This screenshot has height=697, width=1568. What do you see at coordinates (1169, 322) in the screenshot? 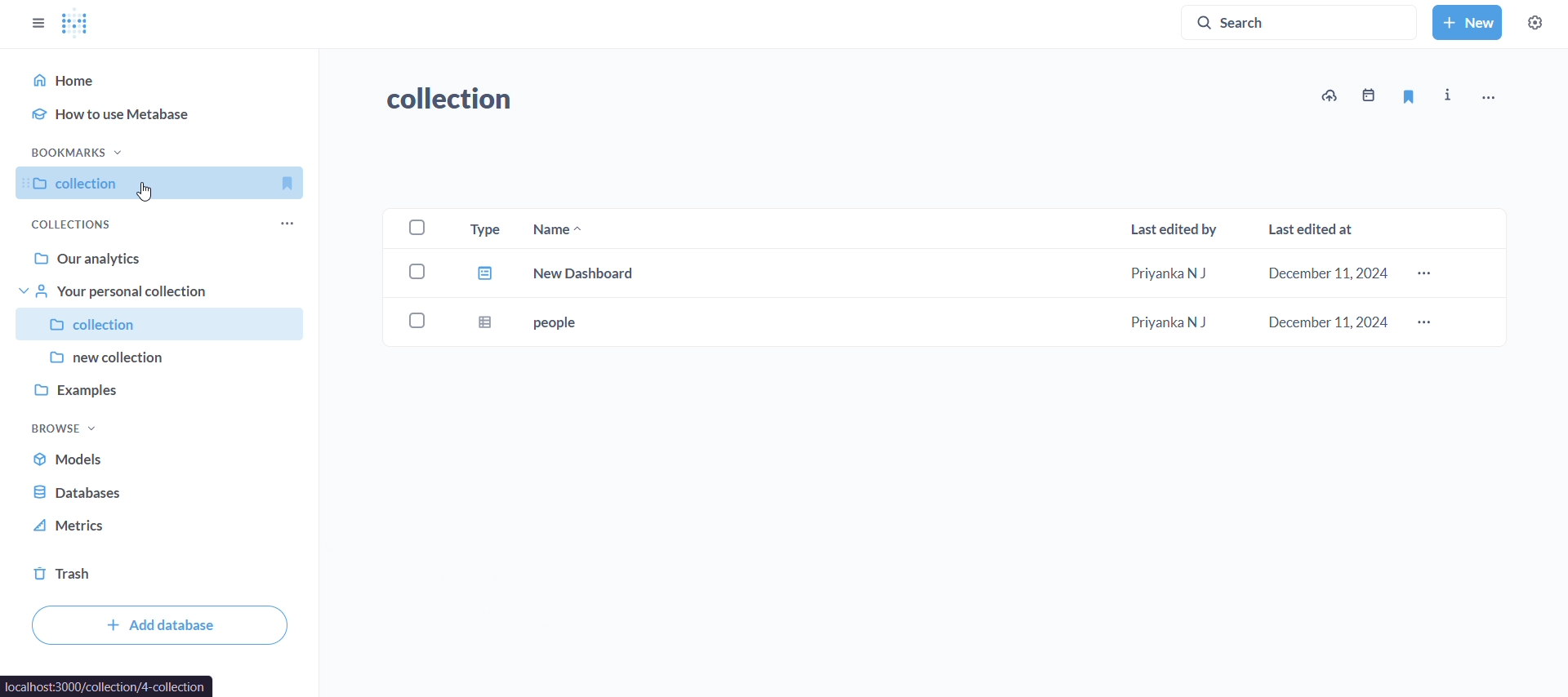
I see `Priyanka NJ` at bounding box center [1169, 322].